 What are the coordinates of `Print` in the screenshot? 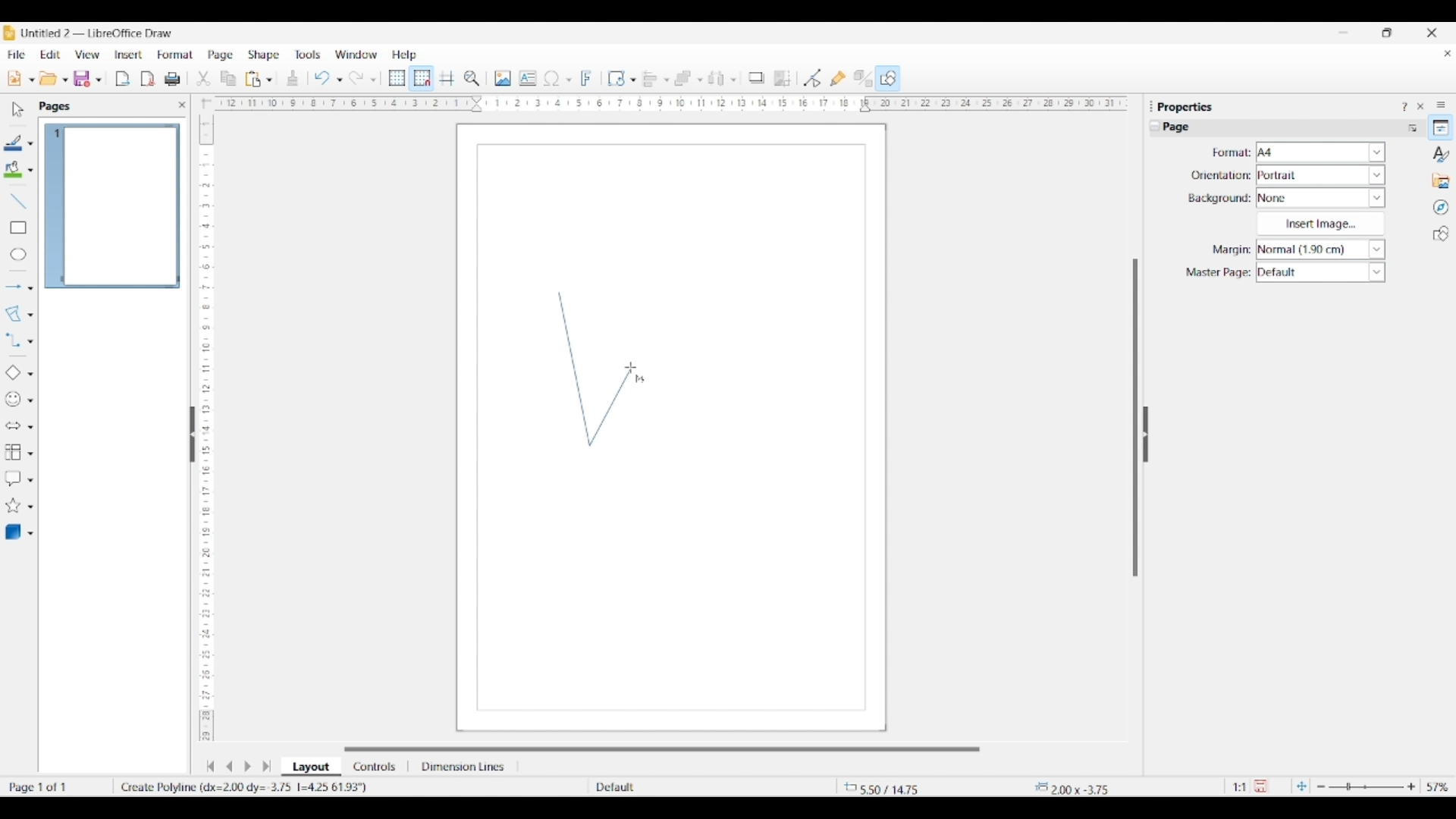 It's located at (172, 79).